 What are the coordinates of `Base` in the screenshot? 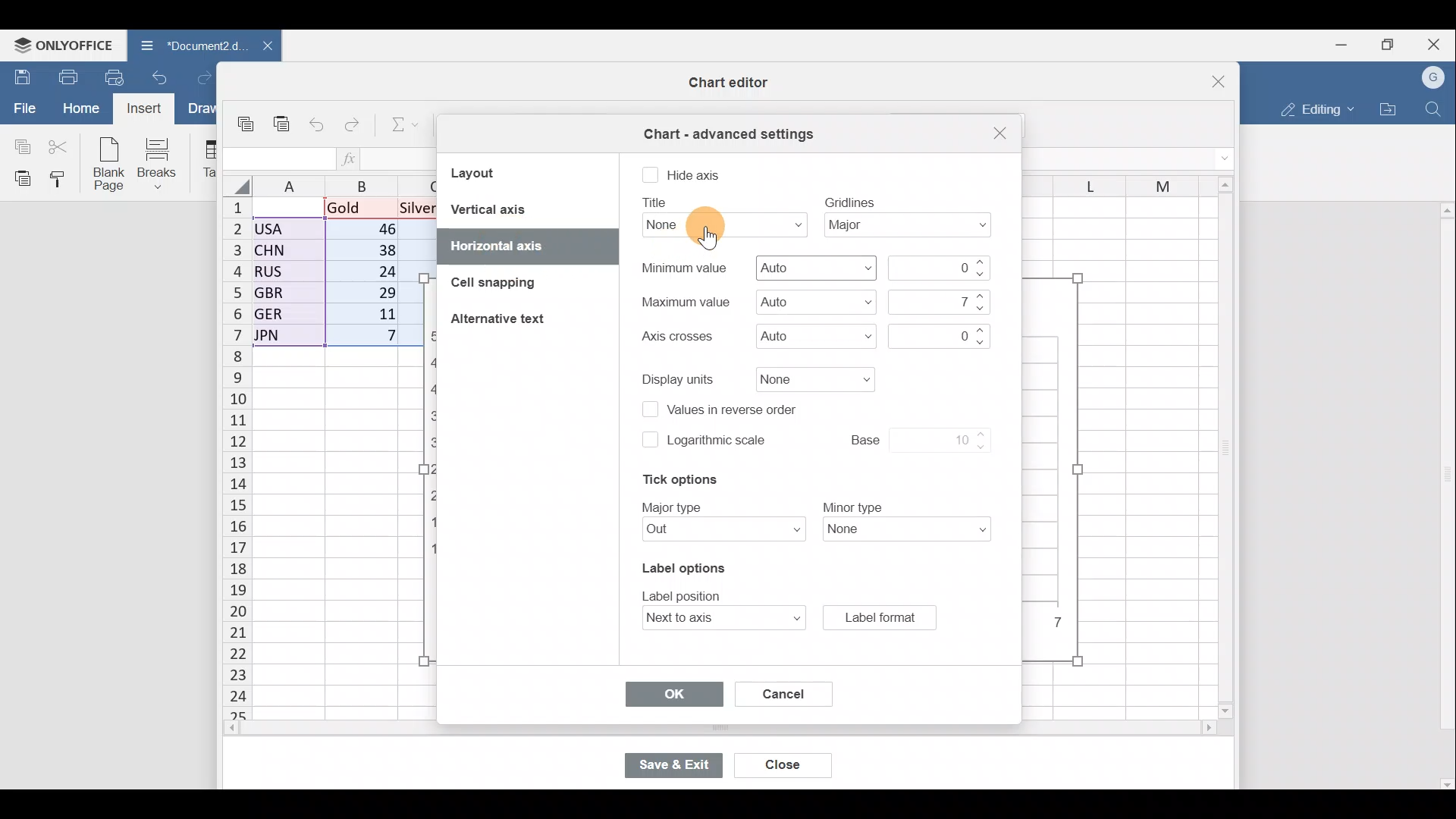 It's located at (904, 438).